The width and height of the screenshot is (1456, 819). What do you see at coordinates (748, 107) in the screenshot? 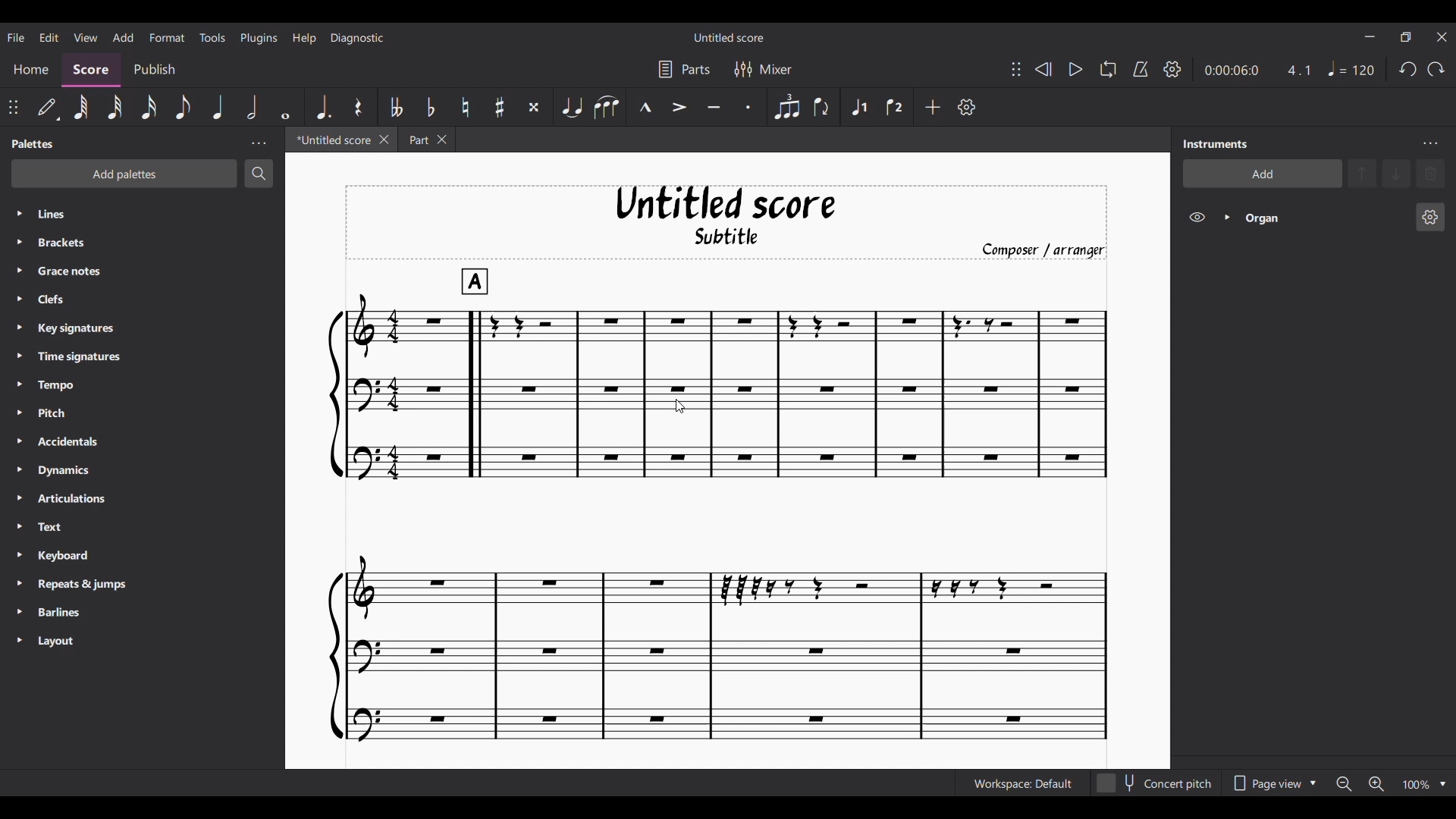
I see `Staccato` at bounding box center [748, 107].